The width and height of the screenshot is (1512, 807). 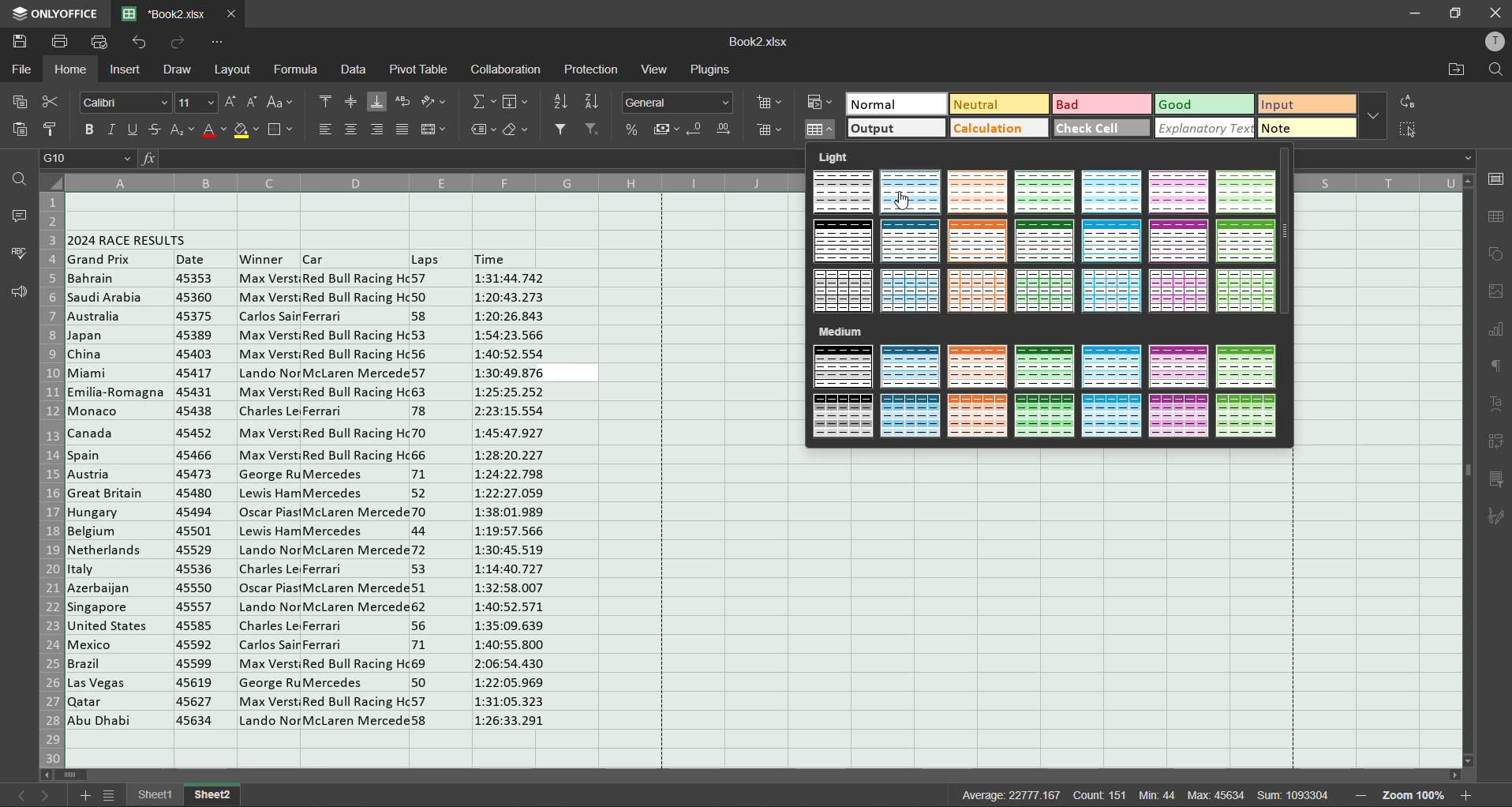 I want to click on table style light 13, so click(x=1178, y=240).